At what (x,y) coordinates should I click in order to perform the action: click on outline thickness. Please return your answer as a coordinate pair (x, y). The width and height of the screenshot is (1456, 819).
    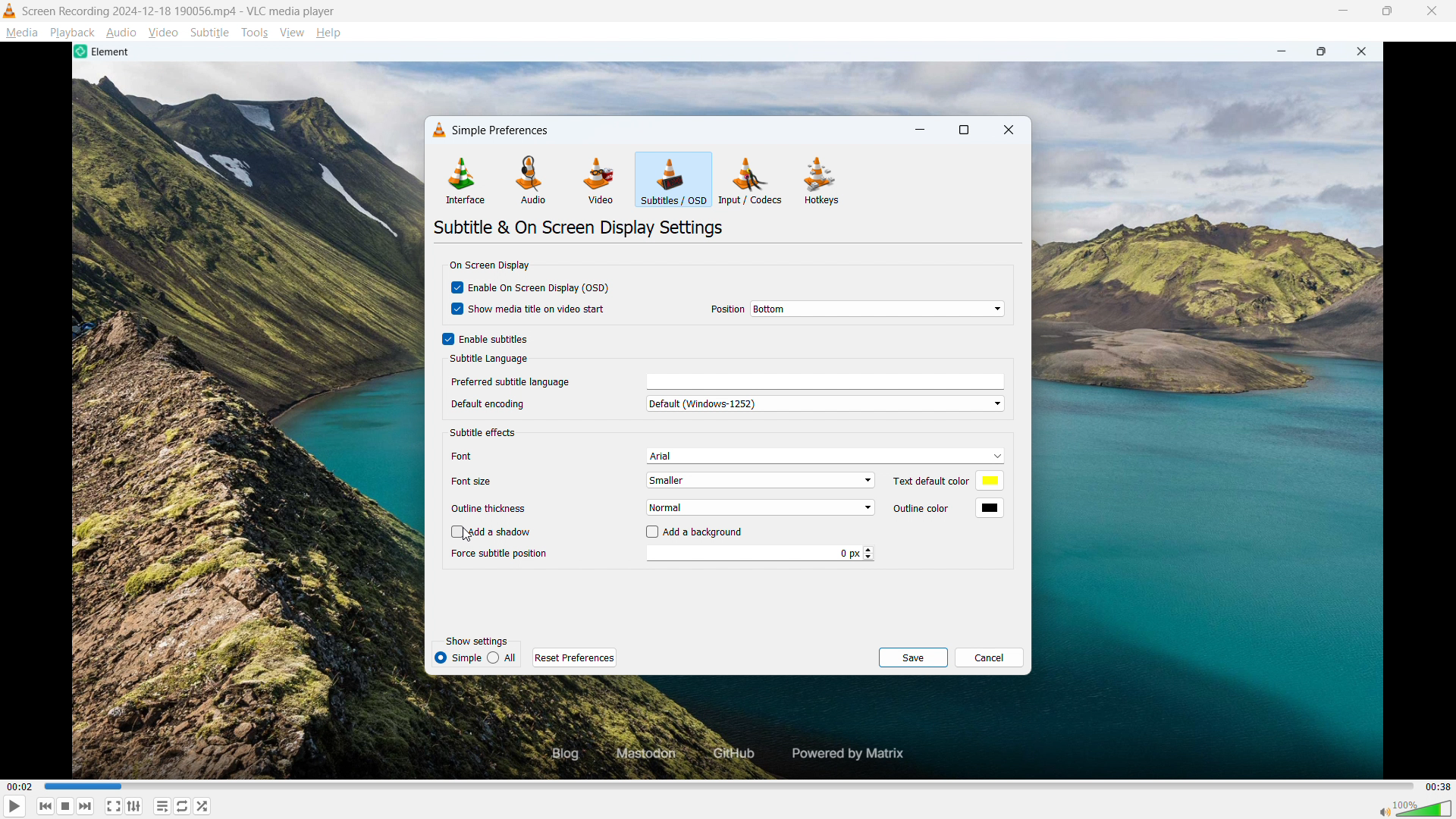
    Looking at the image, I should click on (494, 508).